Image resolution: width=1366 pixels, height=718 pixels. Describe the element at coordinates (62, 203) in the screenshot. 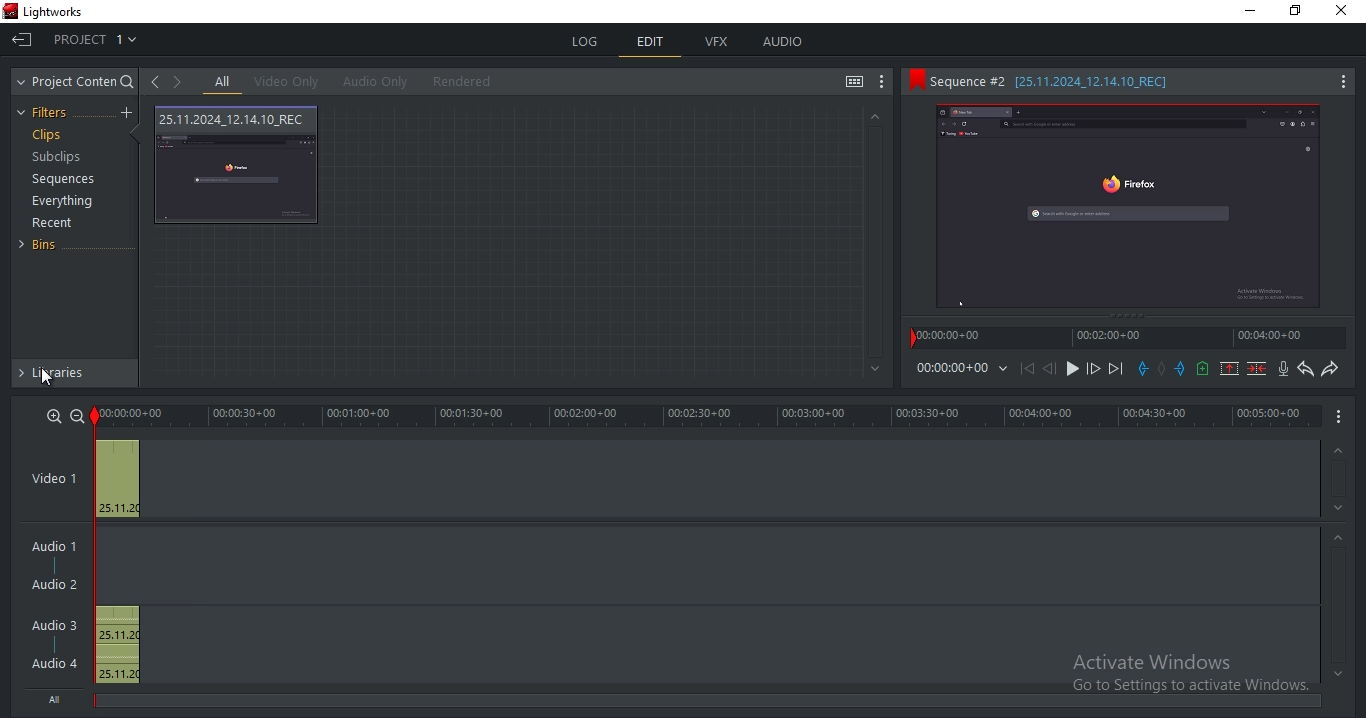

I see `everything` at that location.